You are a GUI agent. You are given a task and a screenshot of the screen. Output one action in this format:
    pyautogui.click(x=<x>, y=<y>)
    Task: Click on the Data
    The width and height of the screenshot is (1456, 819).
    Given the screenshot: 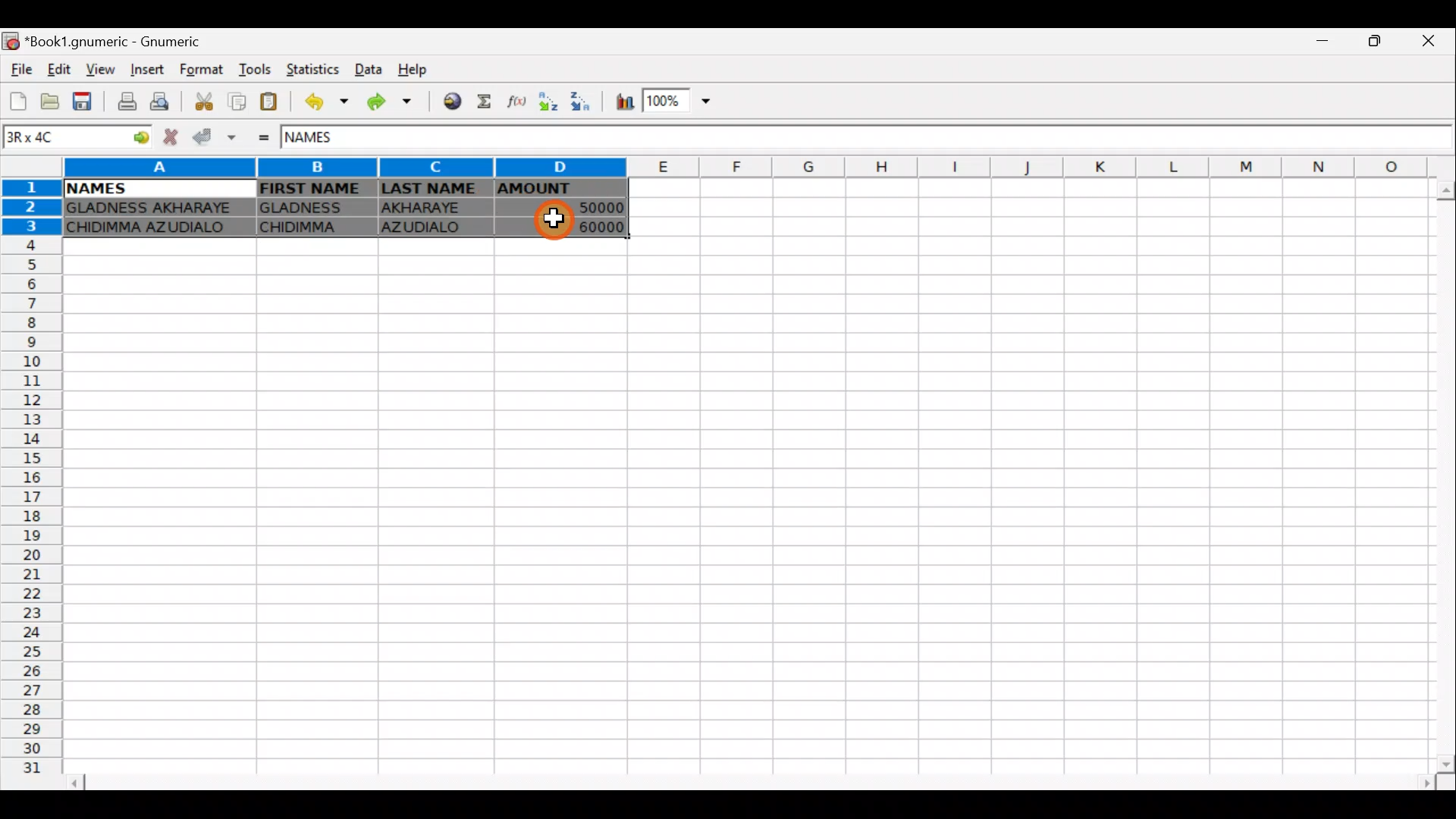 What is the action you would take?
    pyautogui.click(x=366, y=67)
    